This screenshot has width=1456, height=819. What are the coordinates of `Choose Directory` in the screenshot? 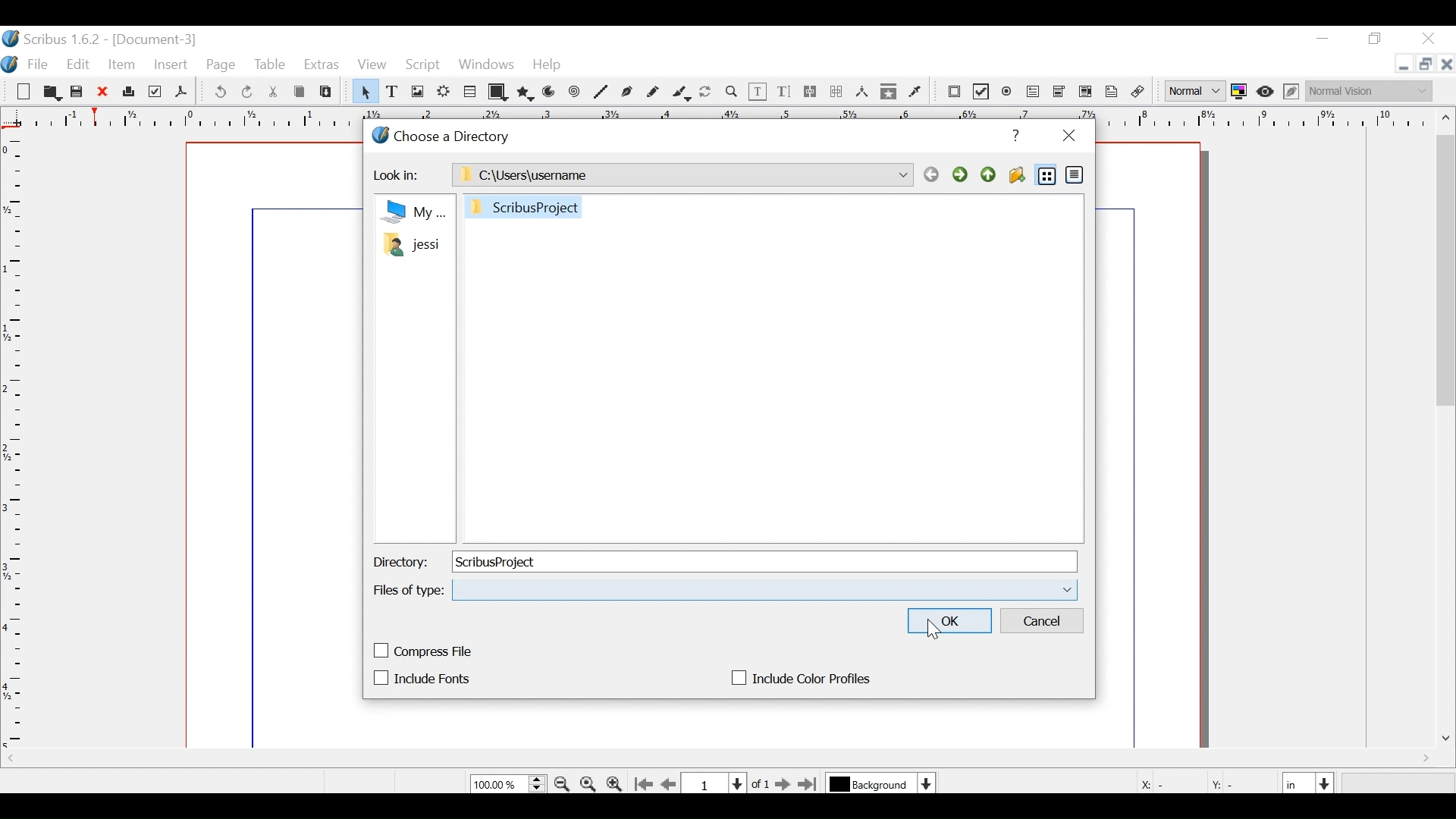 It's located at (444, 134).